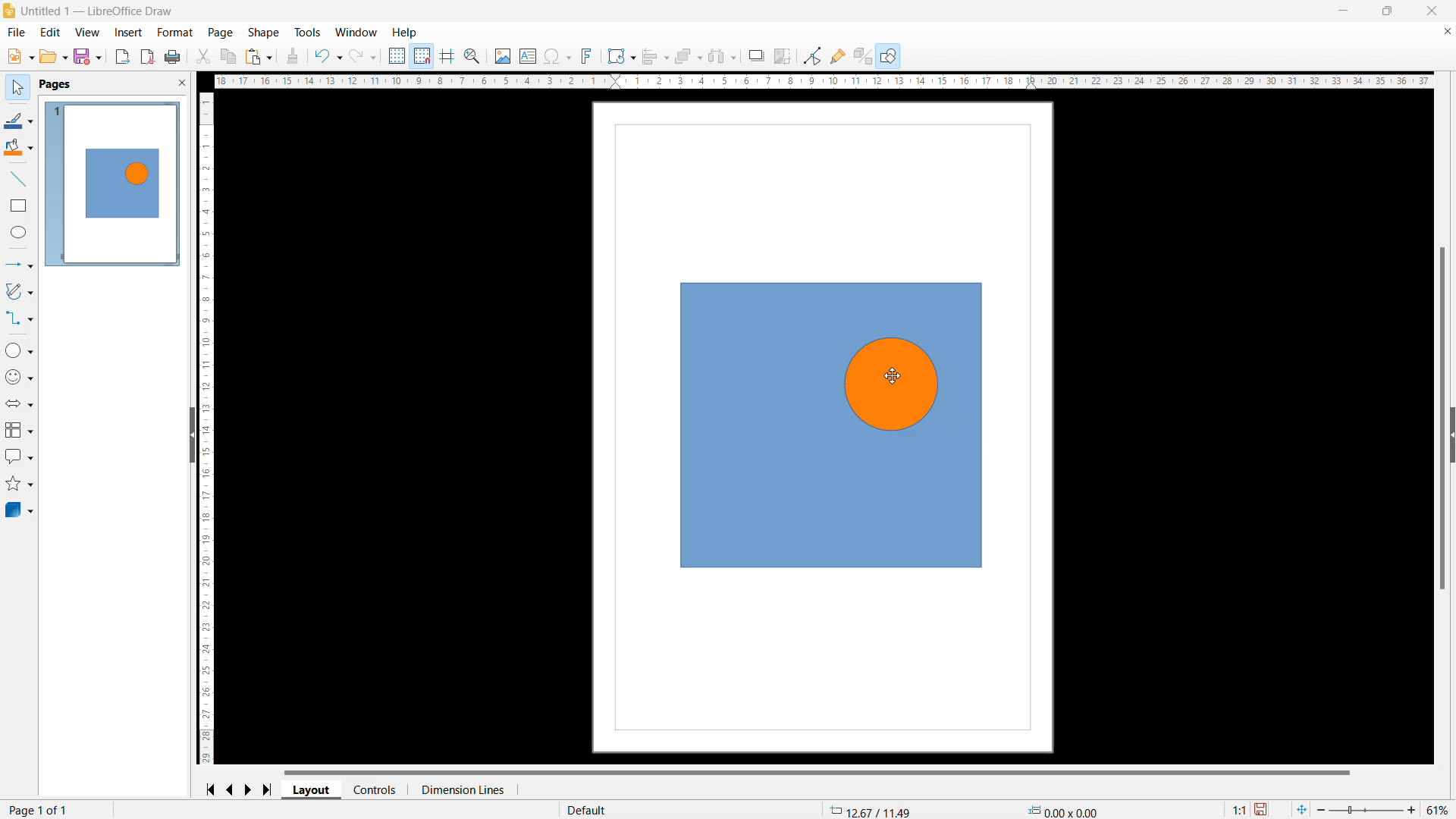 The width and height of the screenshot is (1456, 819). Describe the element at coordinates (221, 33) in the screenshot. I see `page` at that location.